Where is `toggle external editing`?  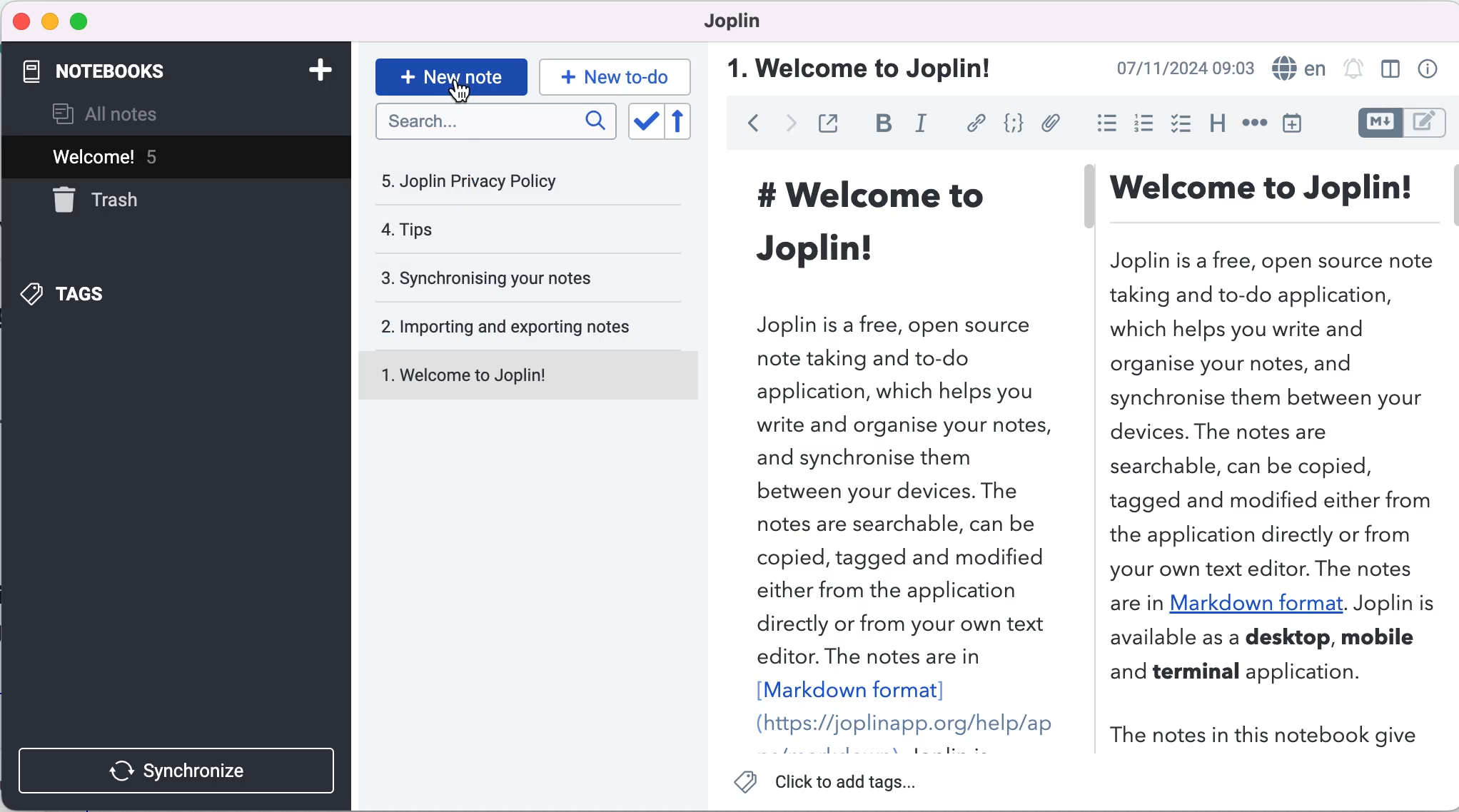 toggle external editing is located at coordinates (831, 123).